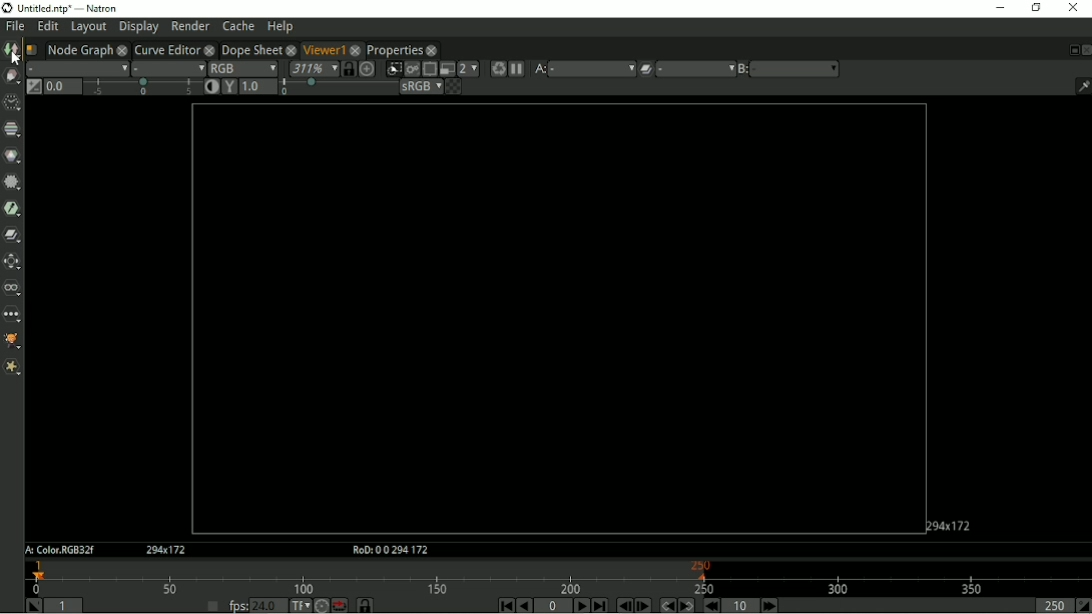 This screenshot has height=614, width=1092. Describe the element at coordinates (299, 605) in the screenshot. I see `Set time display format` at that location.